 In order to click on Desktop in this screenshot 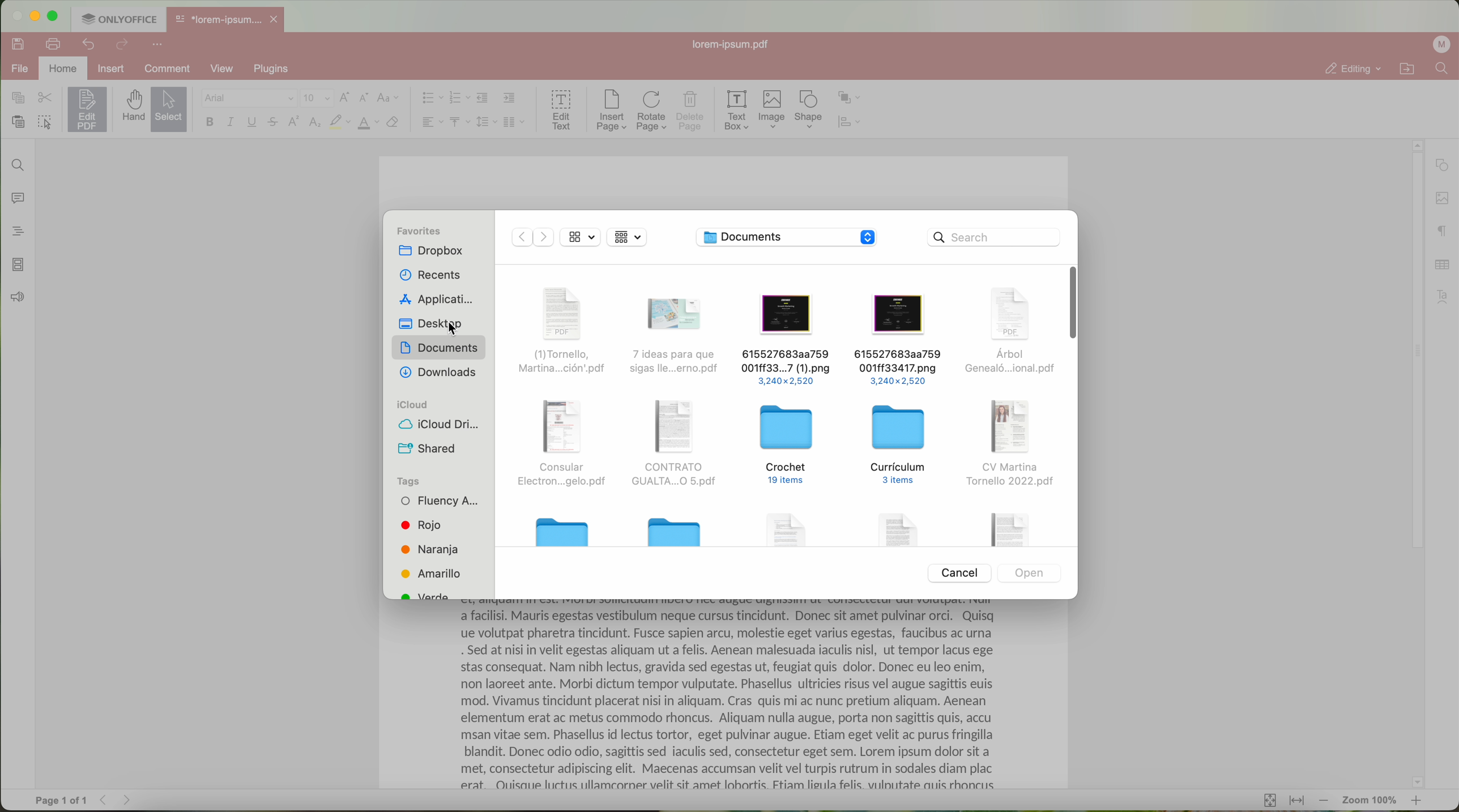, I will do `click(434, 324)`.